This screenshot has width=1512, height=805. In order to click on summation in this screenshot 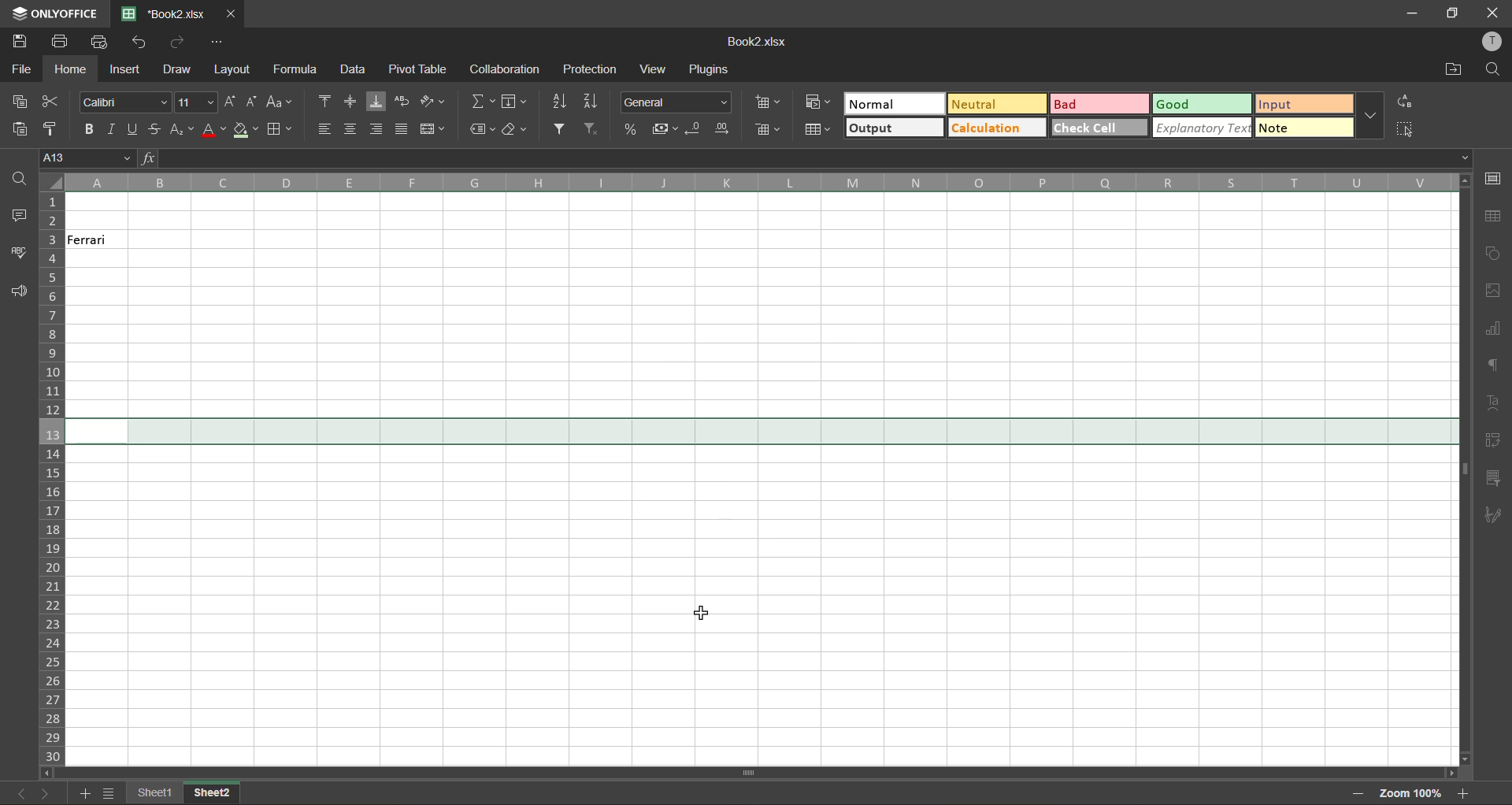, I will do `click(482, 101)`.